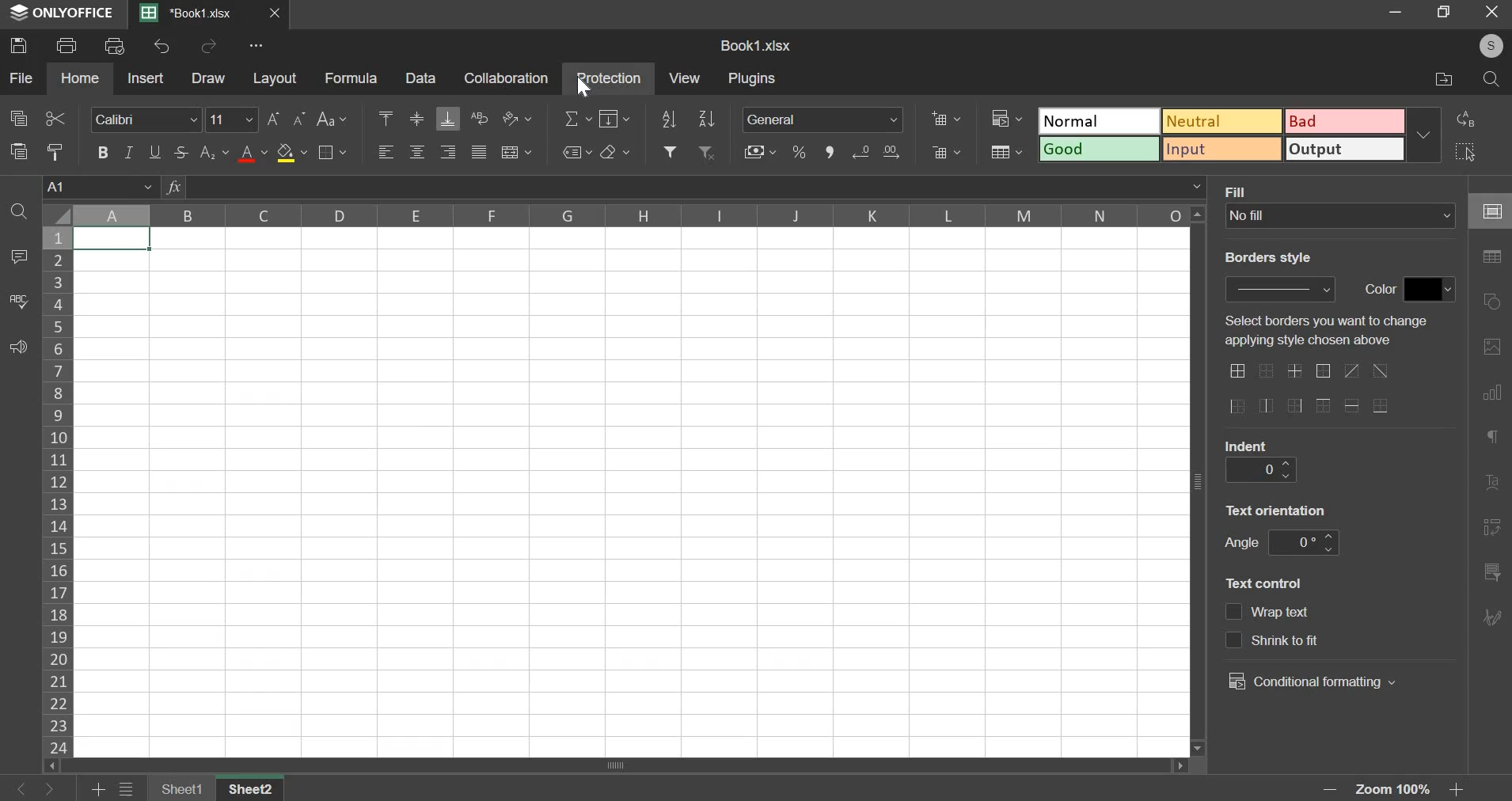 The image size is (1512, 801). What do you see at coordinates (146, 78) in the screenshot?
I see `insert` at bounding box center [146, 78].